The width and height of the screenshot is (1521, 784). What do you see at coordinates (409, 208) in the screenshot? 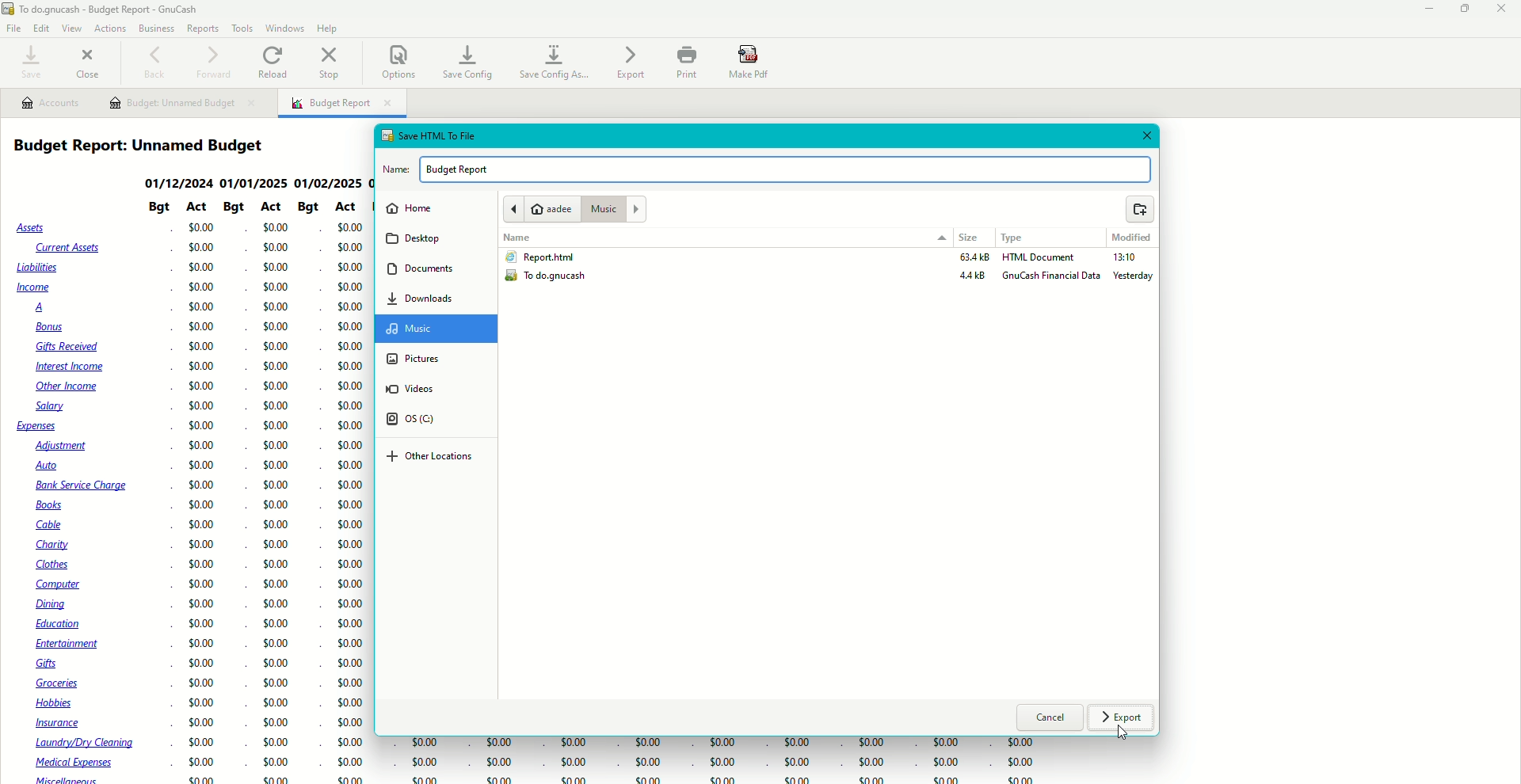
I see `Home` at bounding box center [409, 208].